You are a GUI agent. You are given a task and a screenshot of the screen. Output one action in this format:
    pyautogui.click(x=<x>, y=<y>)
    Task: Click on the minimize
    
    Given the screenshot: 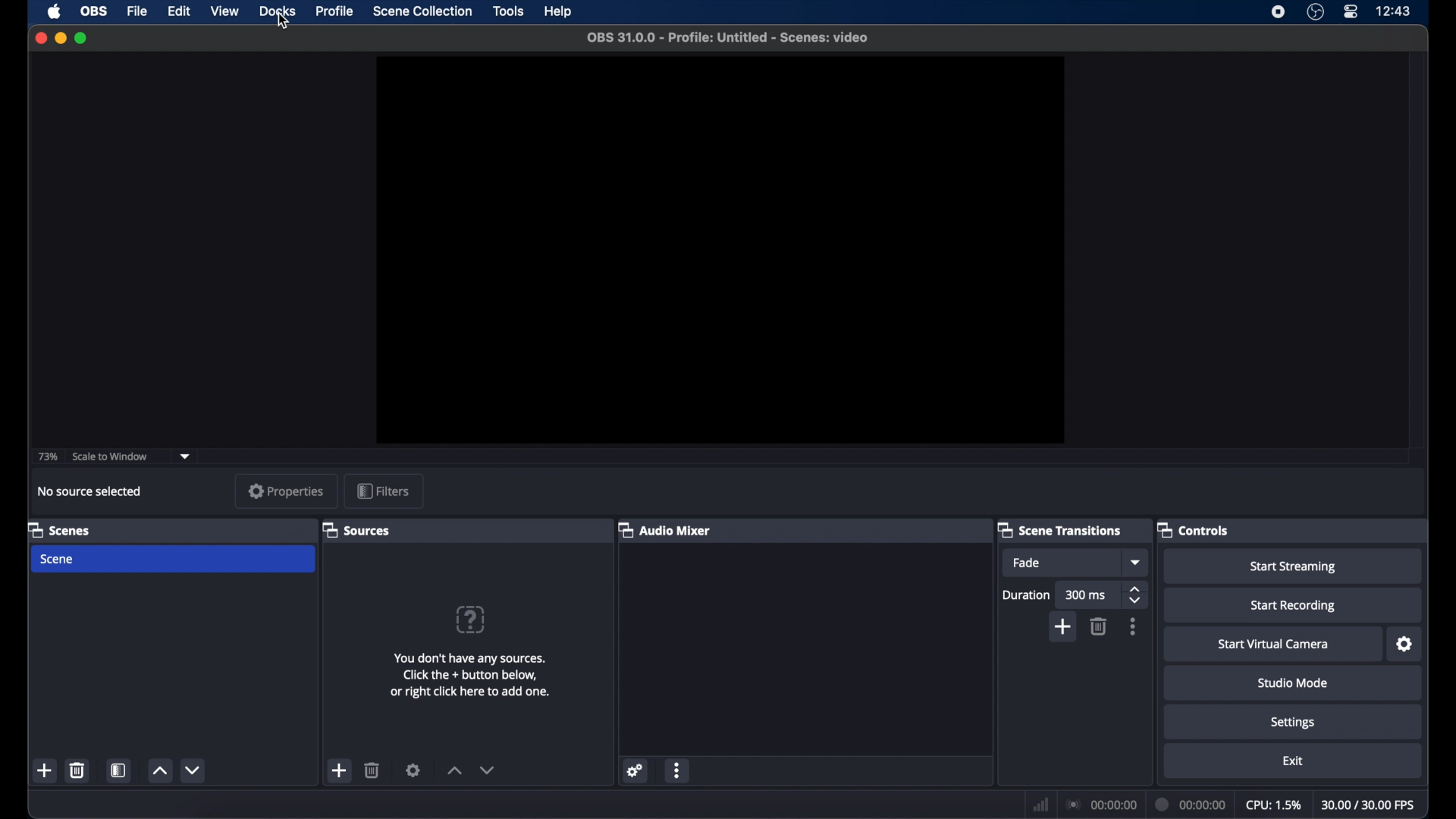 What is the action you would take?
    pyautogui.click(x=60, y=38)
    